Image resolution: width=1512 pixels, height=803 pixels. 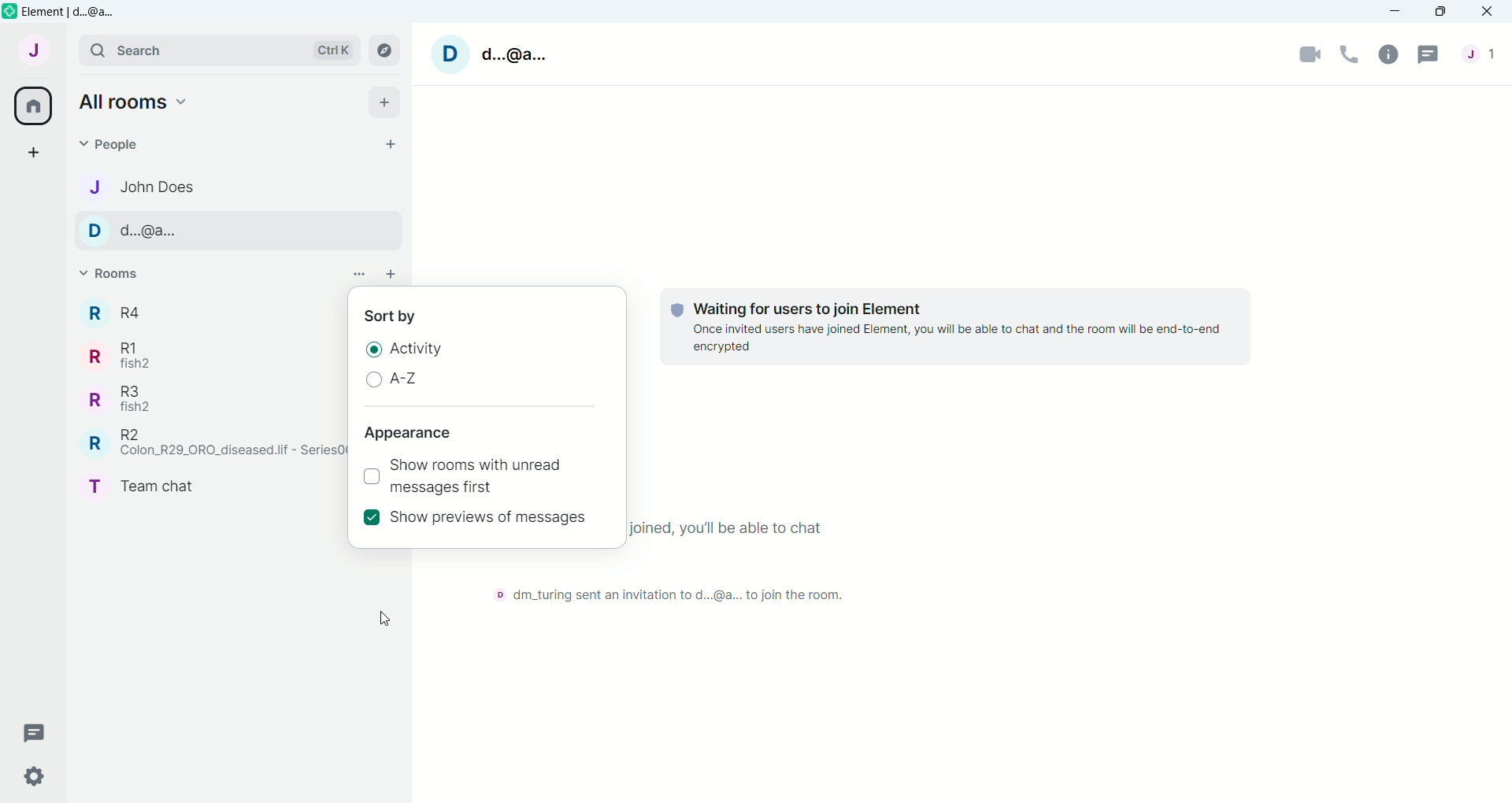 What do you see at coordinates (369, 475) in the screenshot?
I see `Check box` at bounding box center [369, 475].